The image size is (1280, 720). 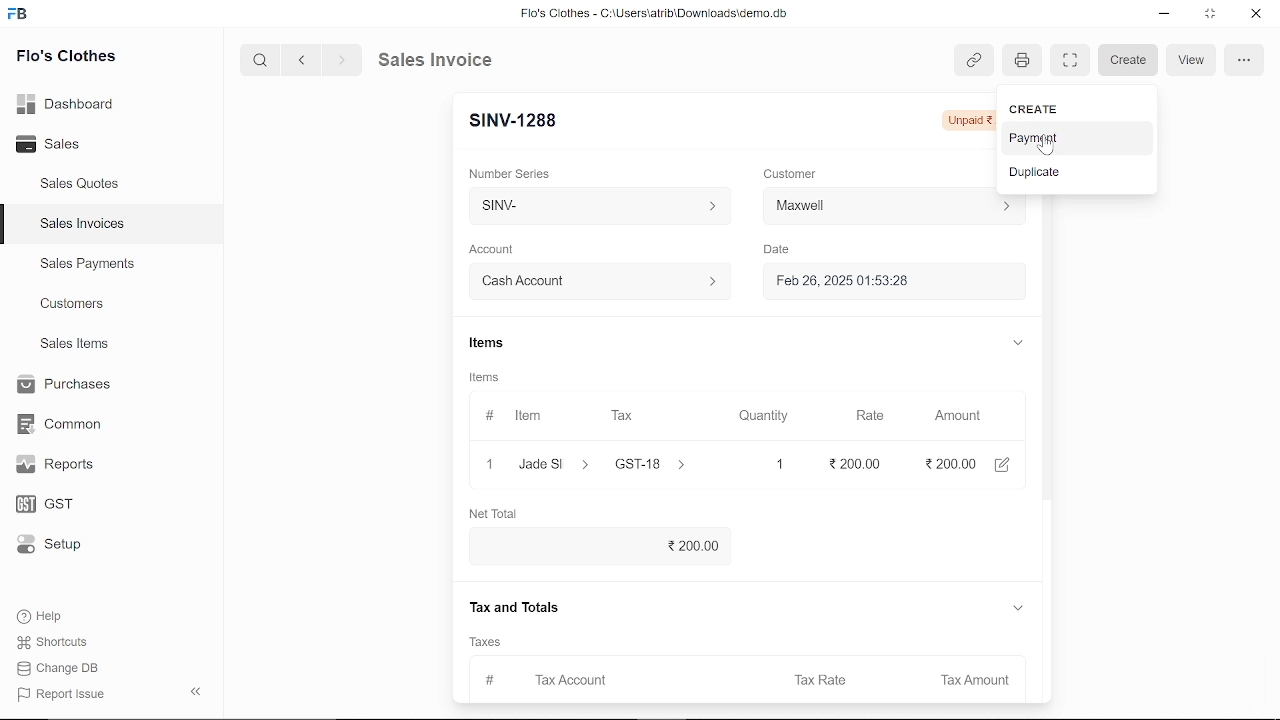 I want to click on 200.00, so click(x=847, y=464).